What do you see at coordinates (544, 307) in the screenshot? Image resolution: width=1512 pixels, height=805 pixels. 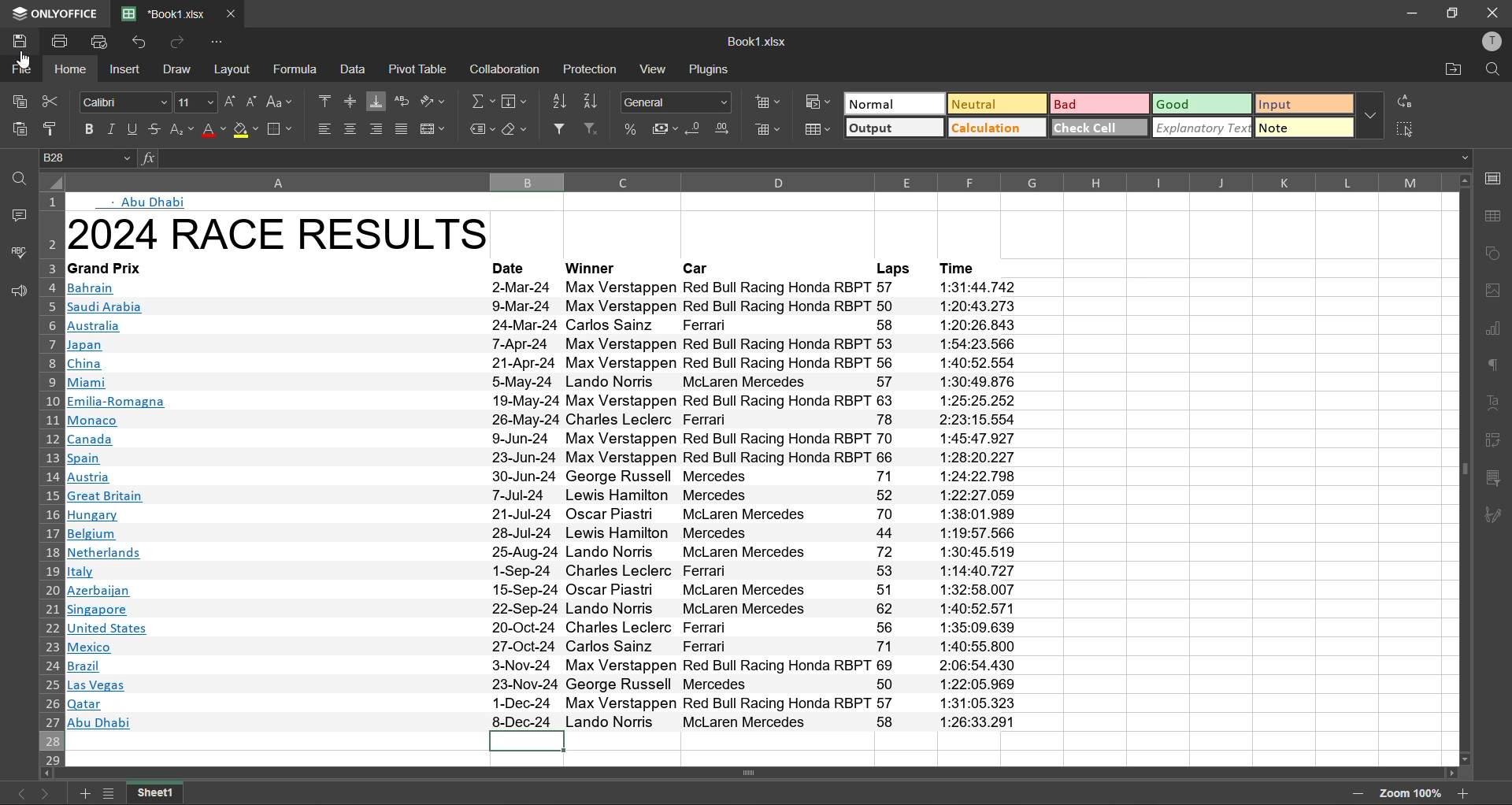 I see `saudi Arabia 9-Mar-24 Max Verstappen Red Bull Racing Honda RBPT 50 1:20:43.273` at bounding box center [544, 307].